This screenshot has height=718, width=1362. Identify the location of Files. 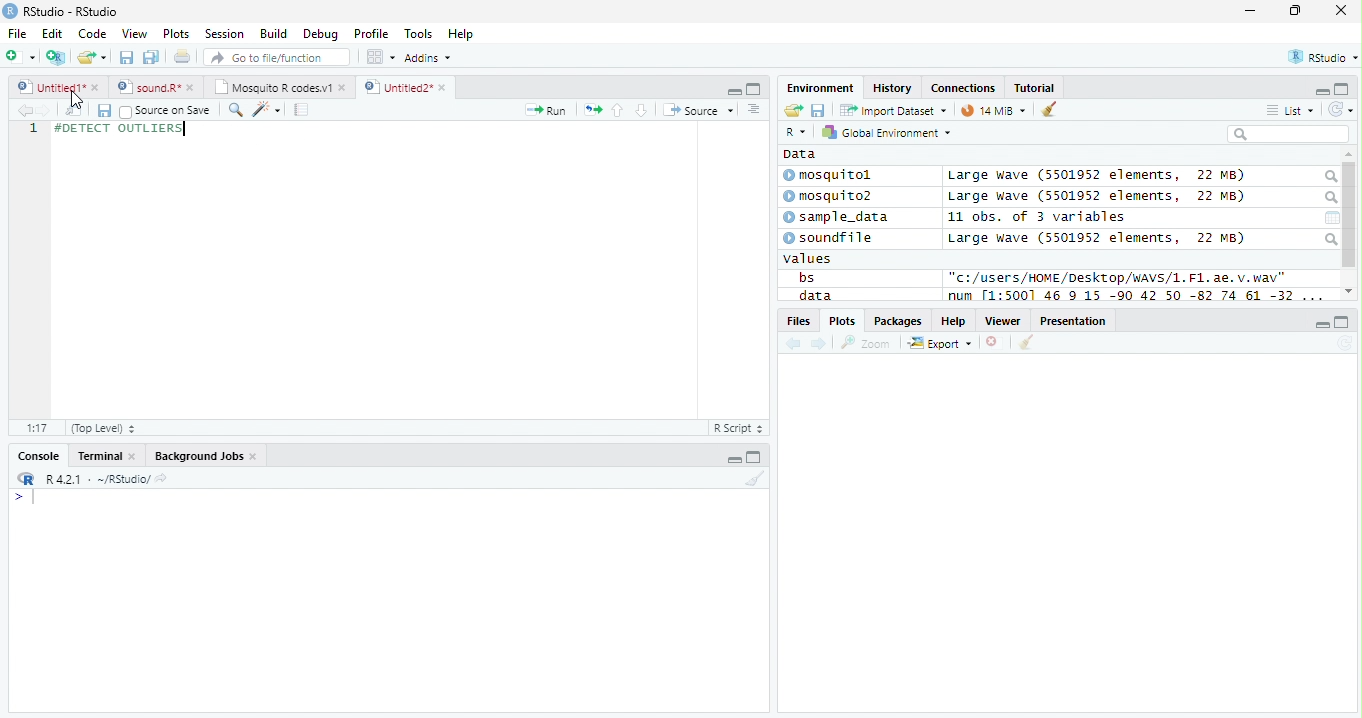
(797, 321).